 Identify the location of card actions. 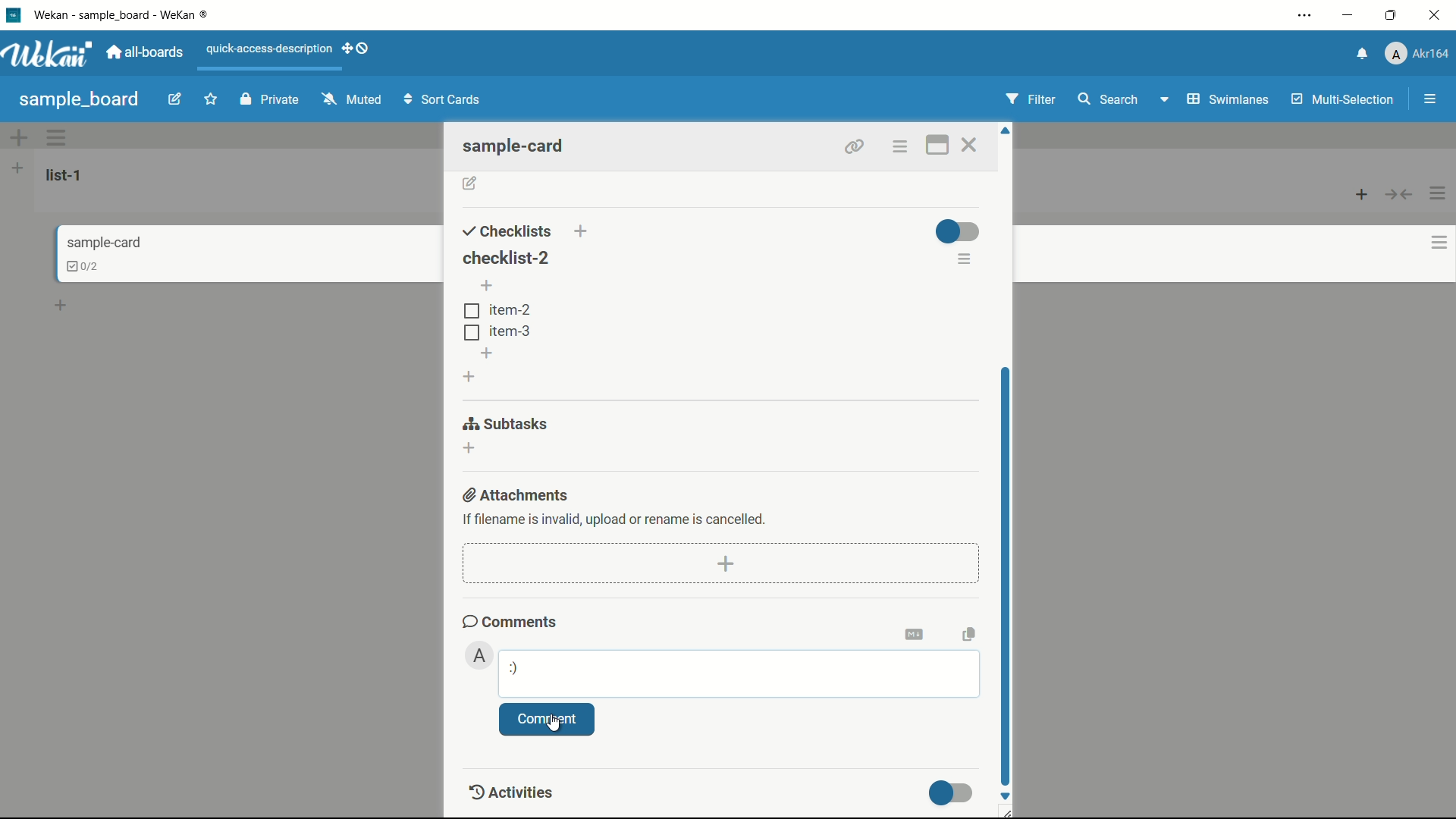
(1428, 243).